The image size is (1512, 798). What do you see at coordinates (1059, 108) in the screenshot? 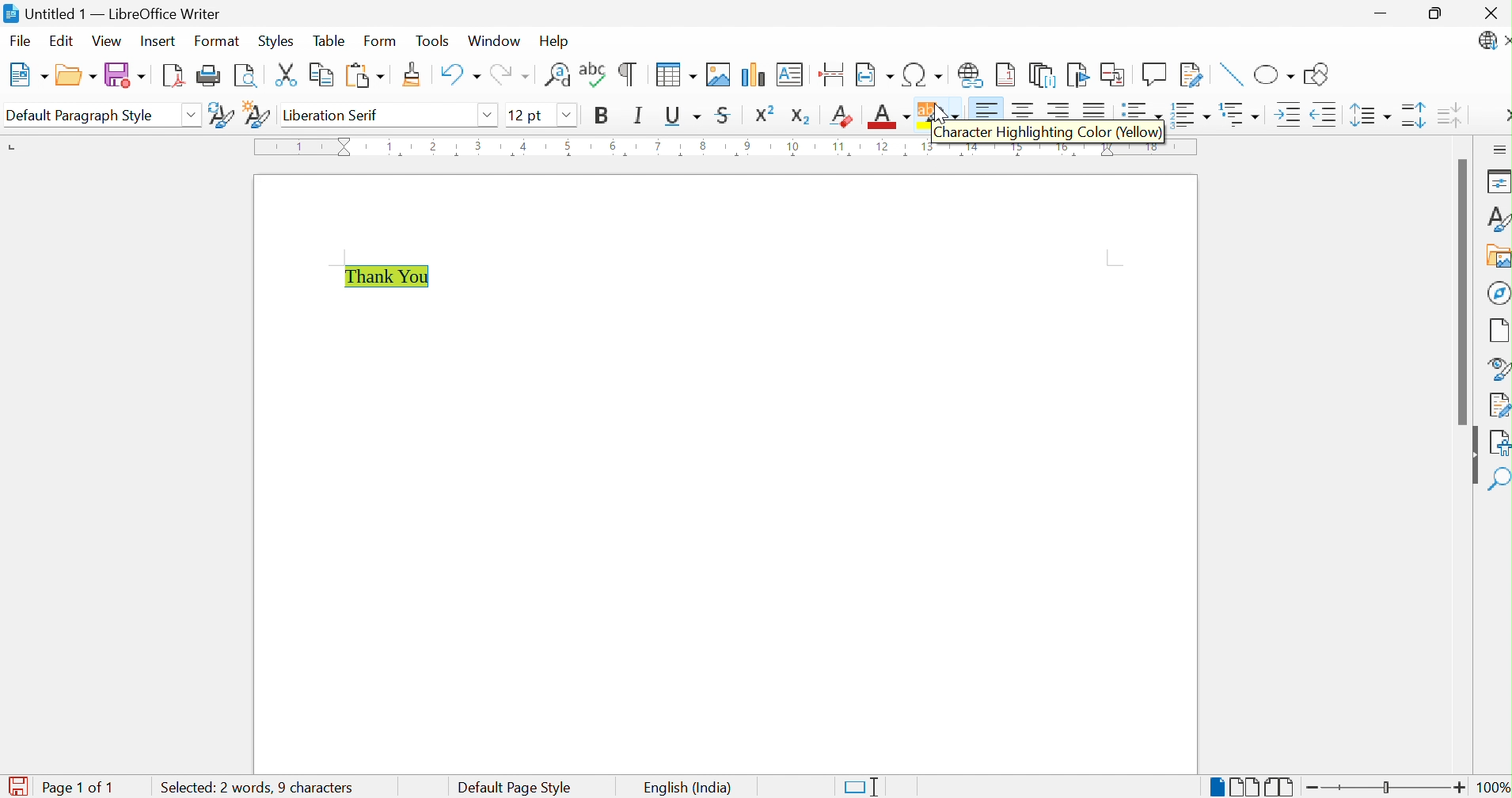
I see `Align Right` at bounding box center [1059, 108].